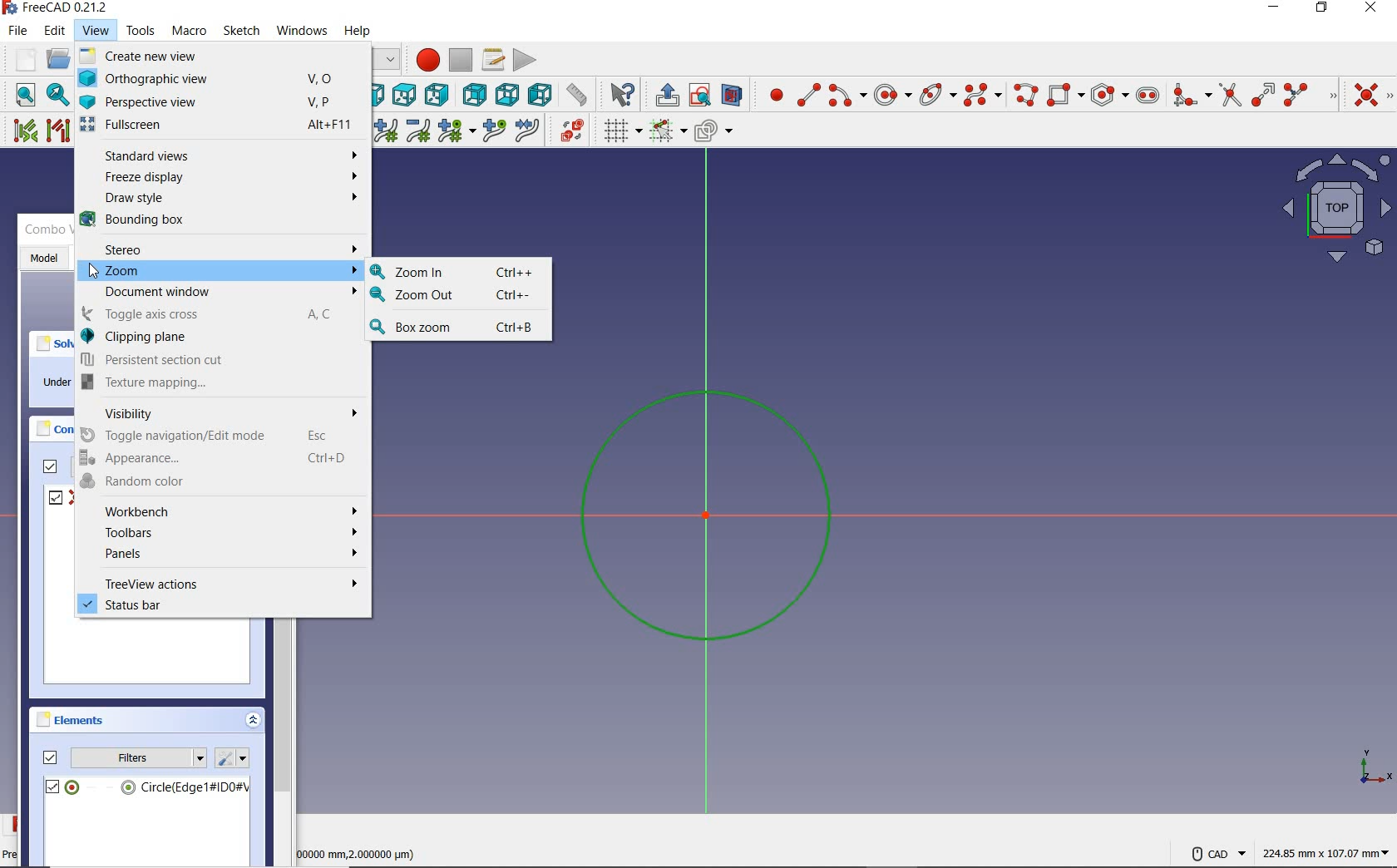  What do you see at coordinates (222, 579) in the screenshot?
I see `treeview actions` at bounding box center [222, 579].